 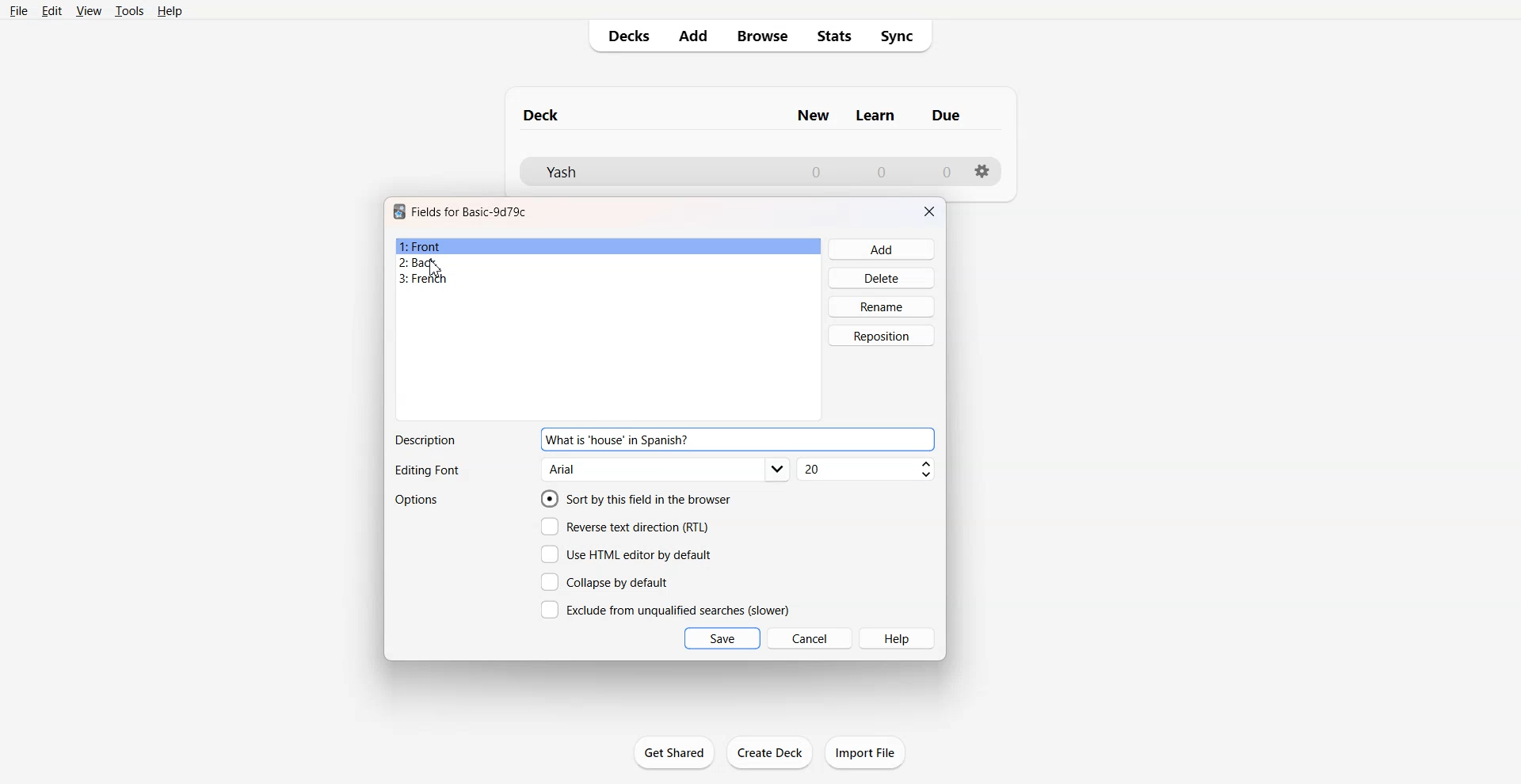 What do you see at coordinates (625, 527) in the screenshot?
I see `Reverse text direction (RTL)` at bounding box center [625, 527].